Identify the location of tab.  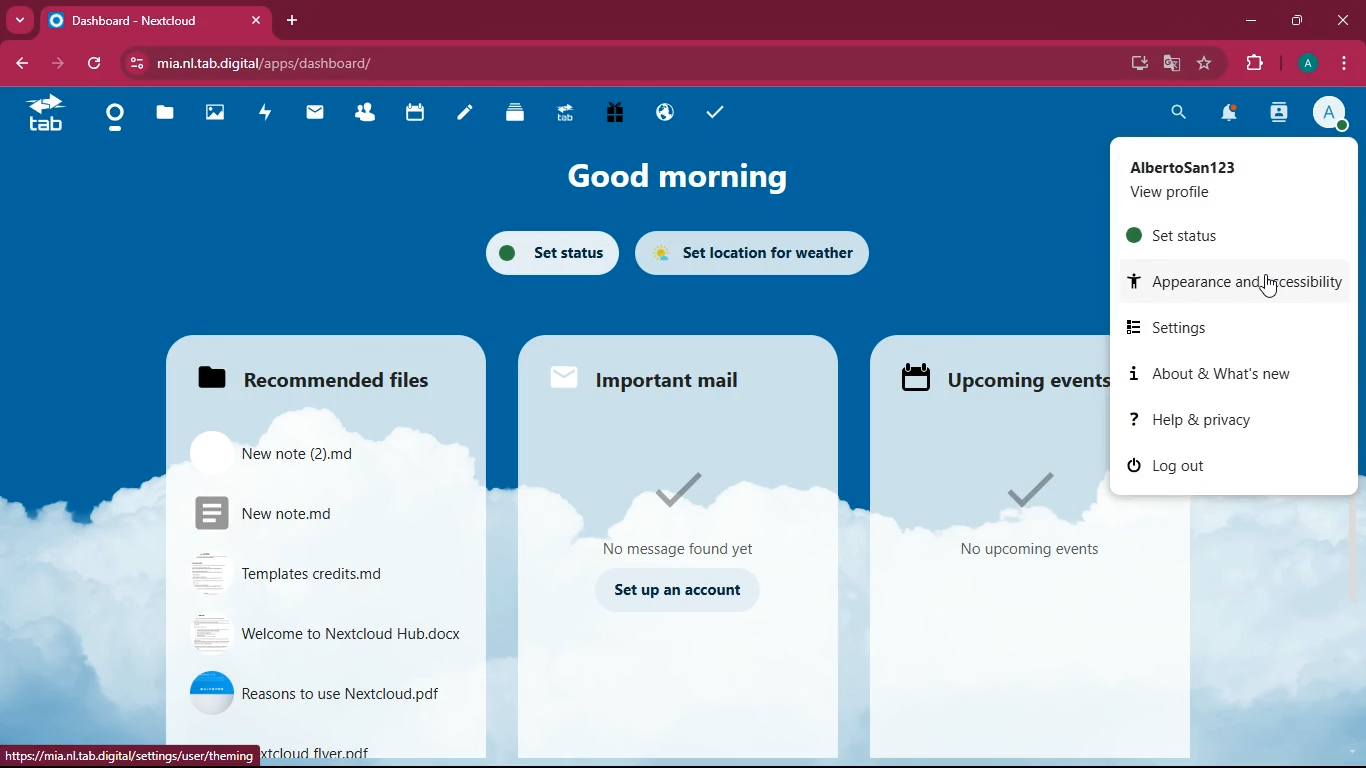
(563, 111).